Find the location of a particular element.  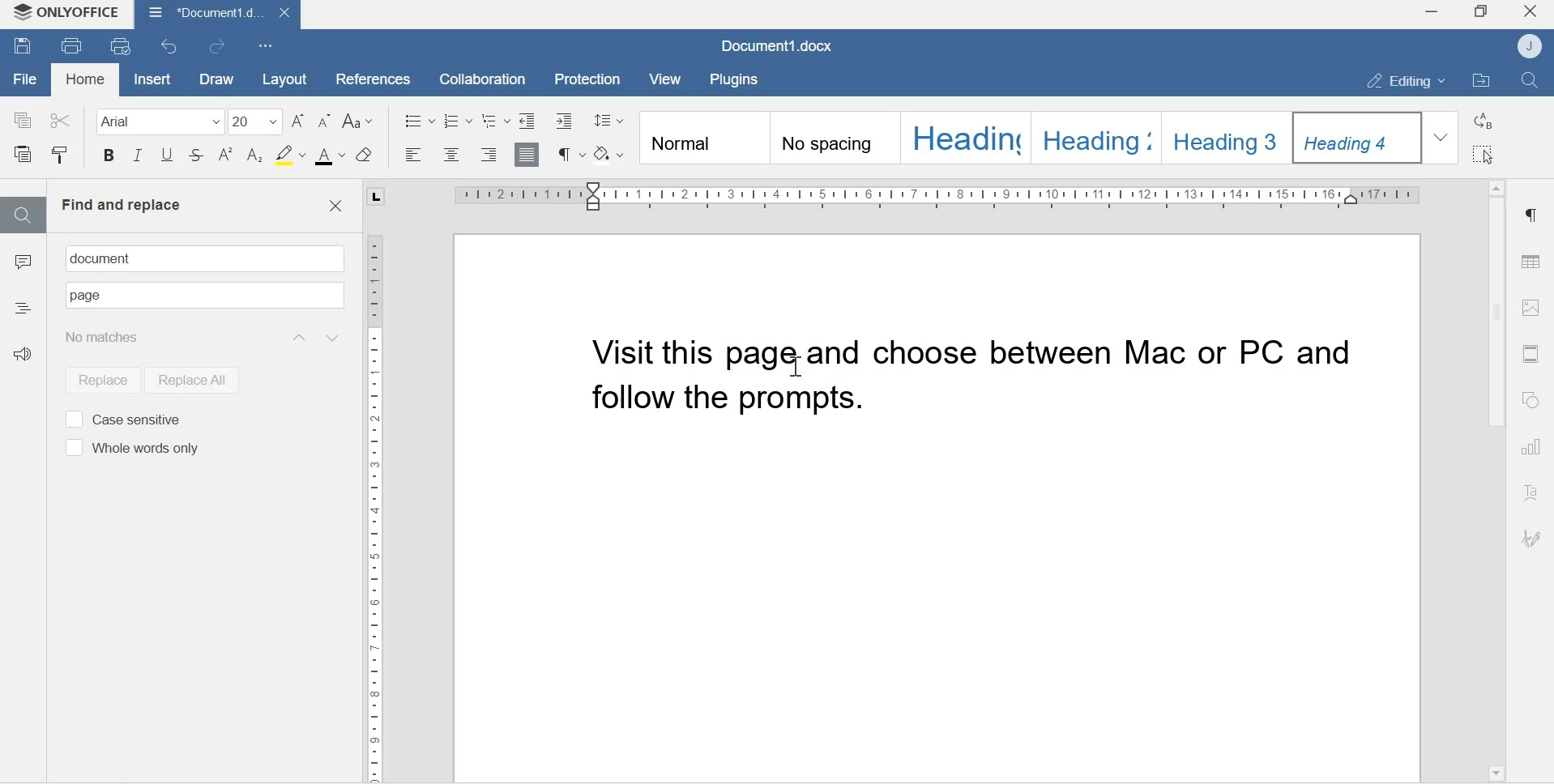

Charts is located at coordinates (1533, 449).